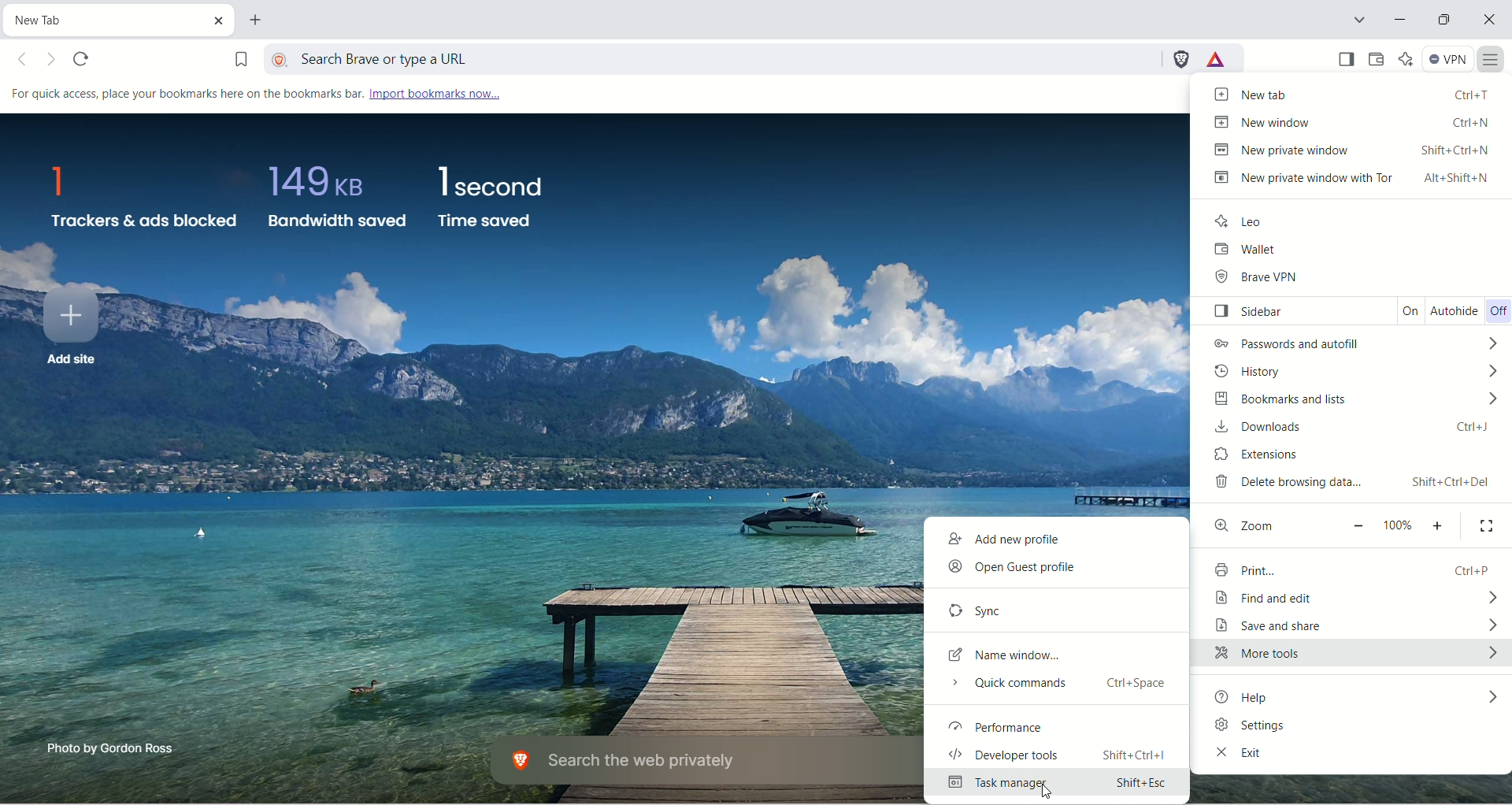 This screenshot has height=805, width=1512. Describe the element at coordinates (1353, 121) in the screenshot. I see `new window` at that location.